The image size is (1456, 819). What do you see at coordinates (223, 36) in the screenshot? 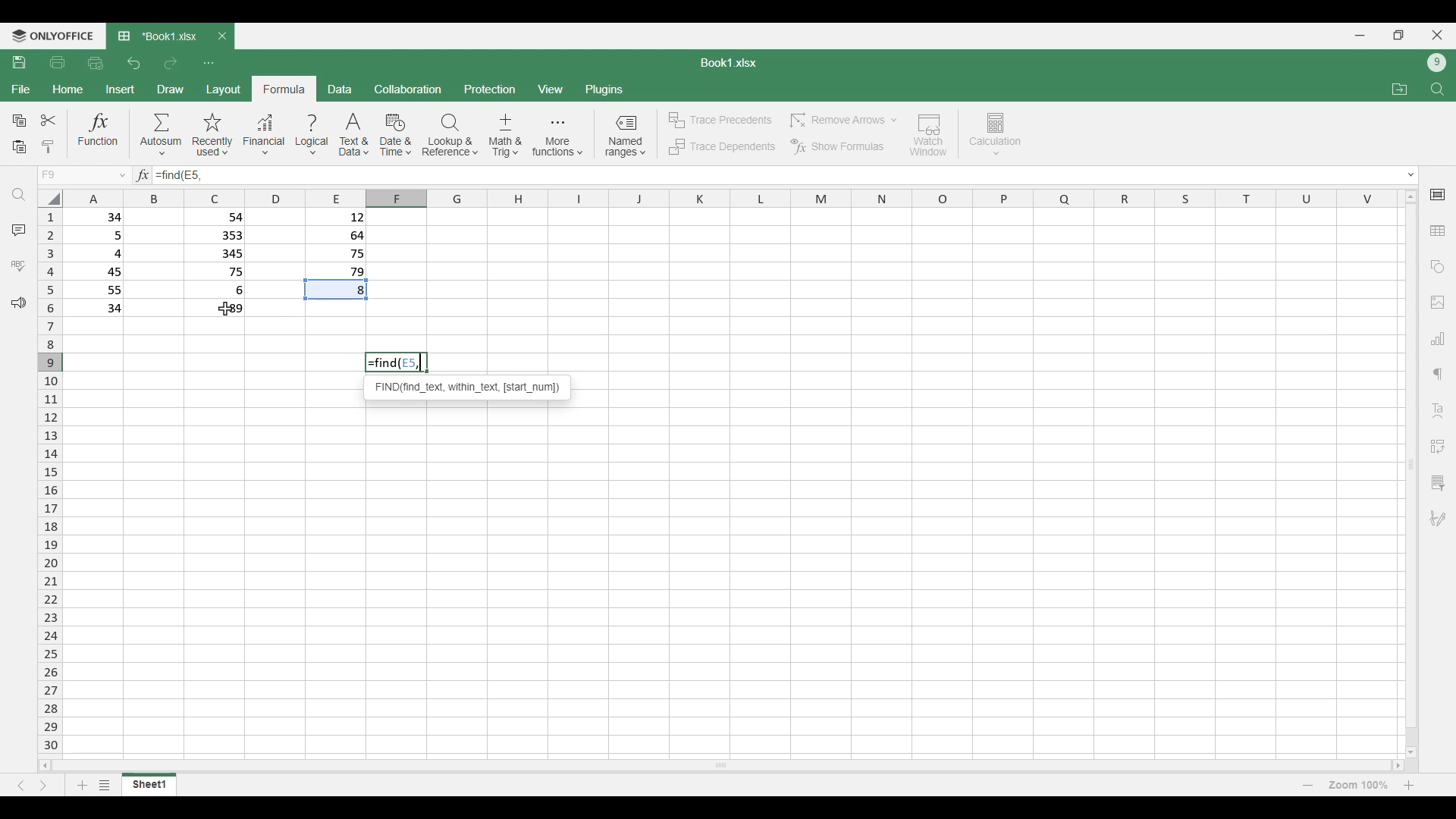
I see `Close tab` at bounding box center [223, 36].